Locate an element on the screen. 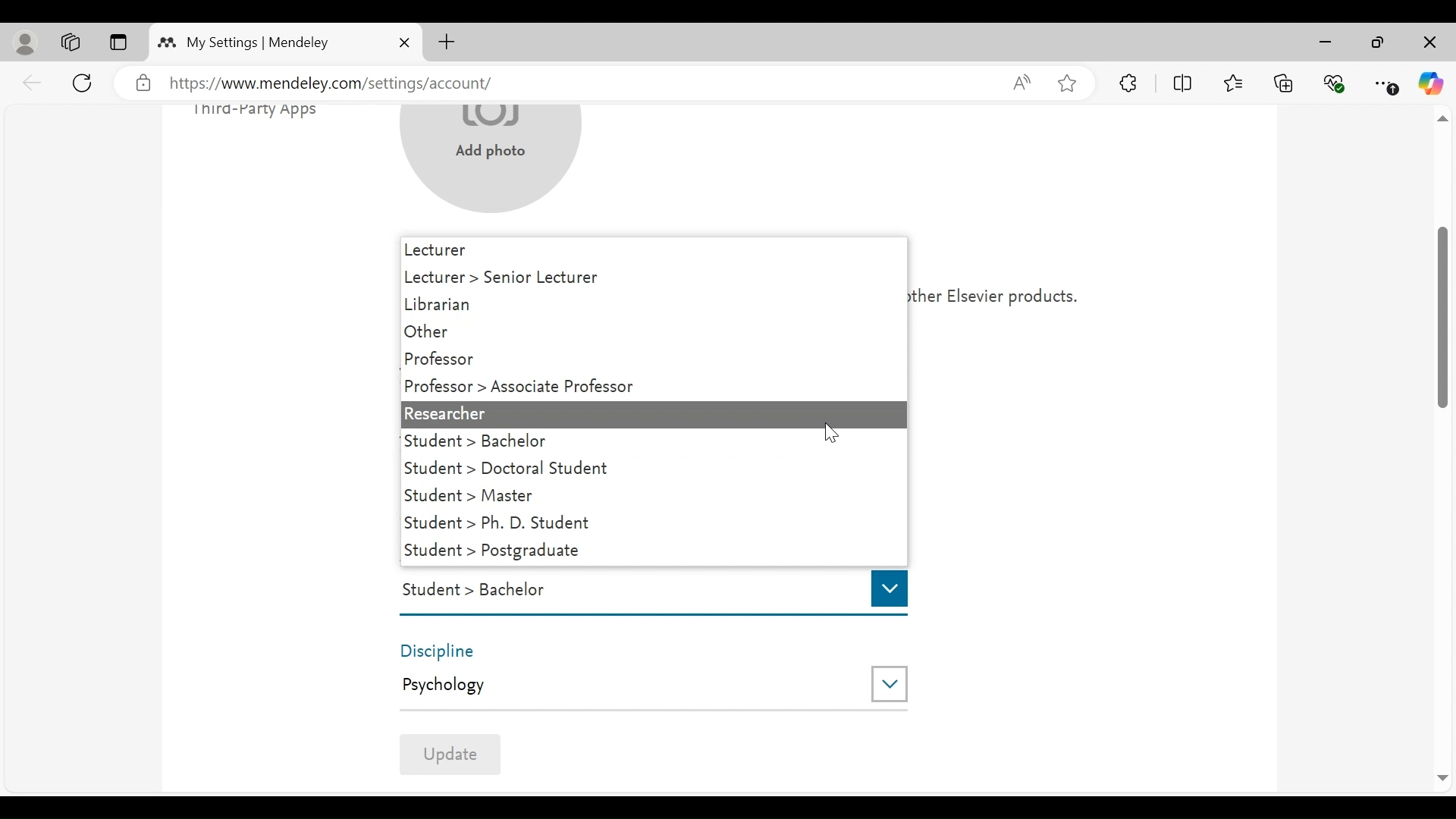 The height and width of the screenshot is (819, 1456). Professor is located at coordinates (648, 359).